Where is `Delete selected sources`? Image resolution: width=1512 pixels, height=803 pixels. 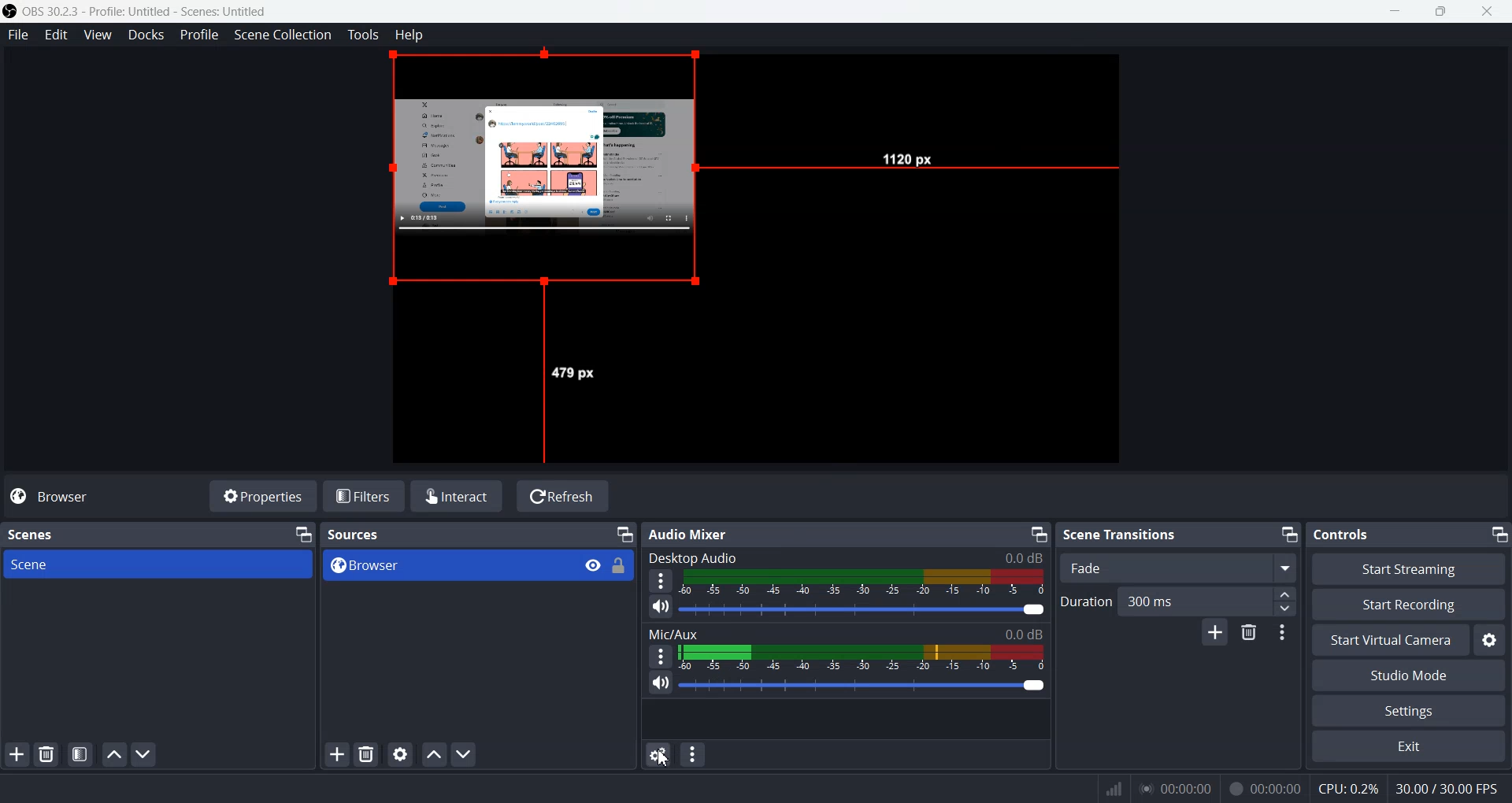 Delete selected sources is located at coordinates (369, 754).